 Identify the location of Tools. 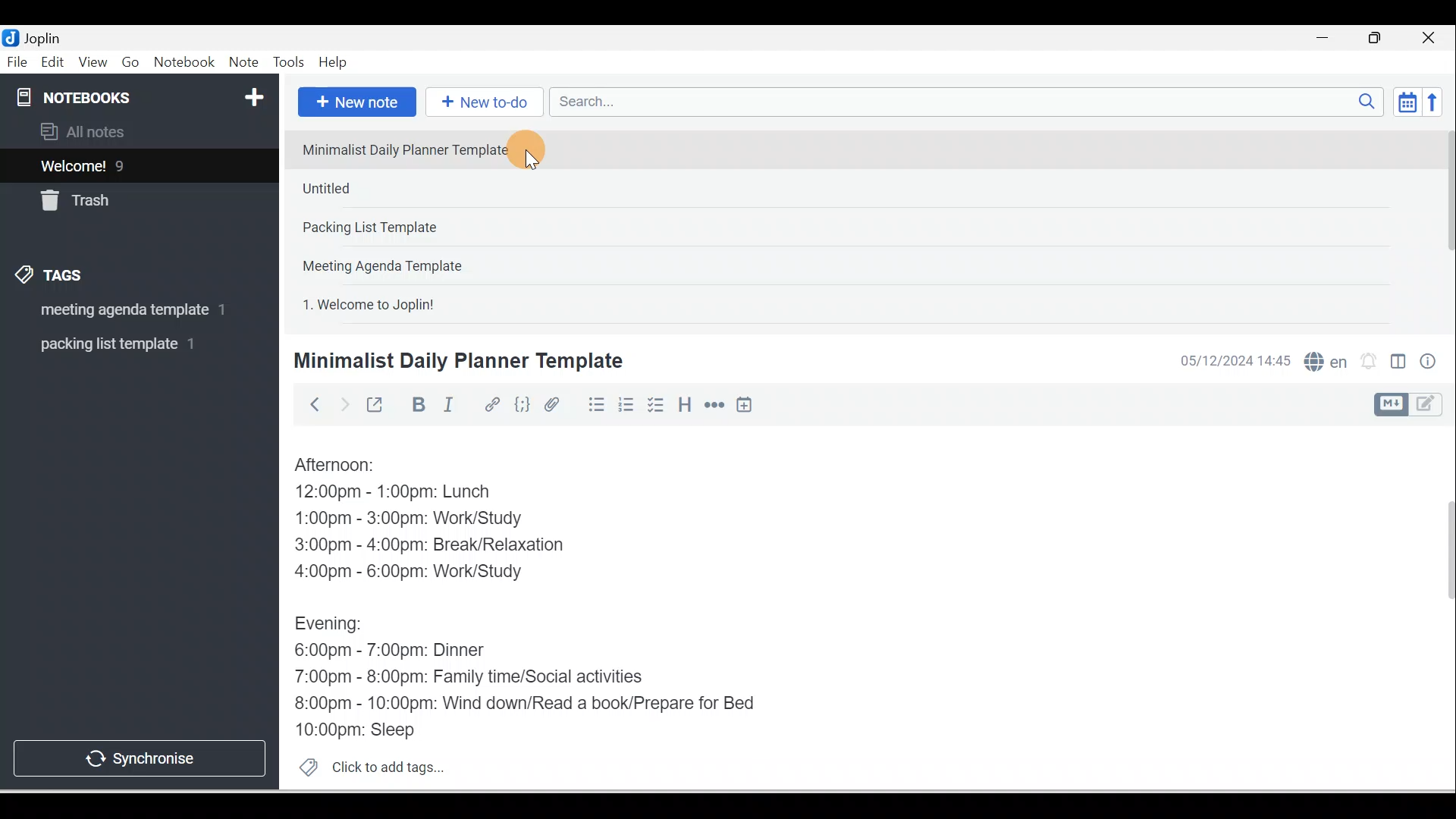
(288, 62).